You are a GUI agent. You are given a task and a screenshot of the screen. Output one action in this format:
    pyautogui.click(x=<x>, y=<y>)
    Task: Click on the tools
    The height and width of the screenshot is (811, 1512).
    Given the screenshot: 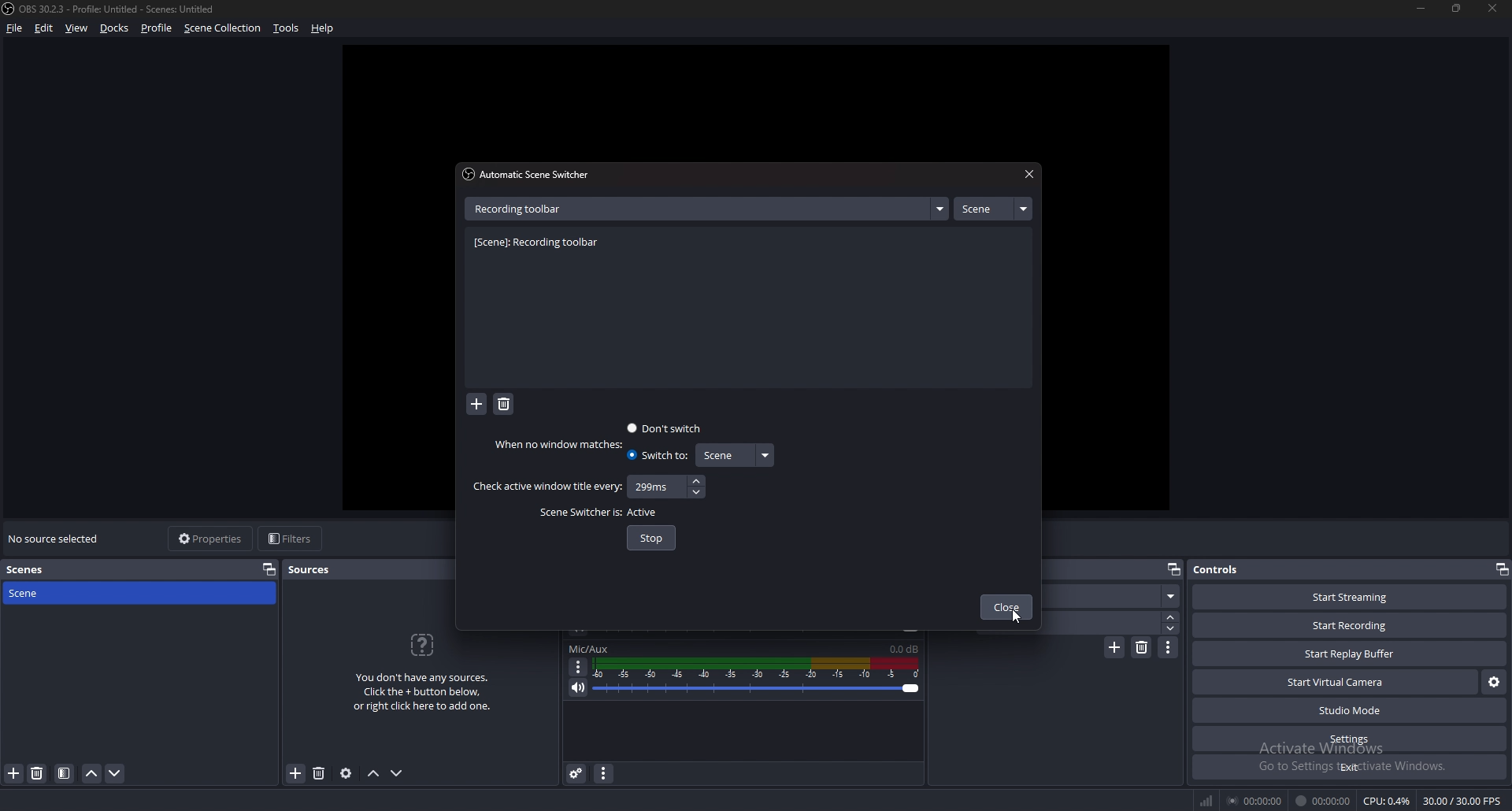 What is the action you would take?
    pyautogui.click(x=287, y=28)
    